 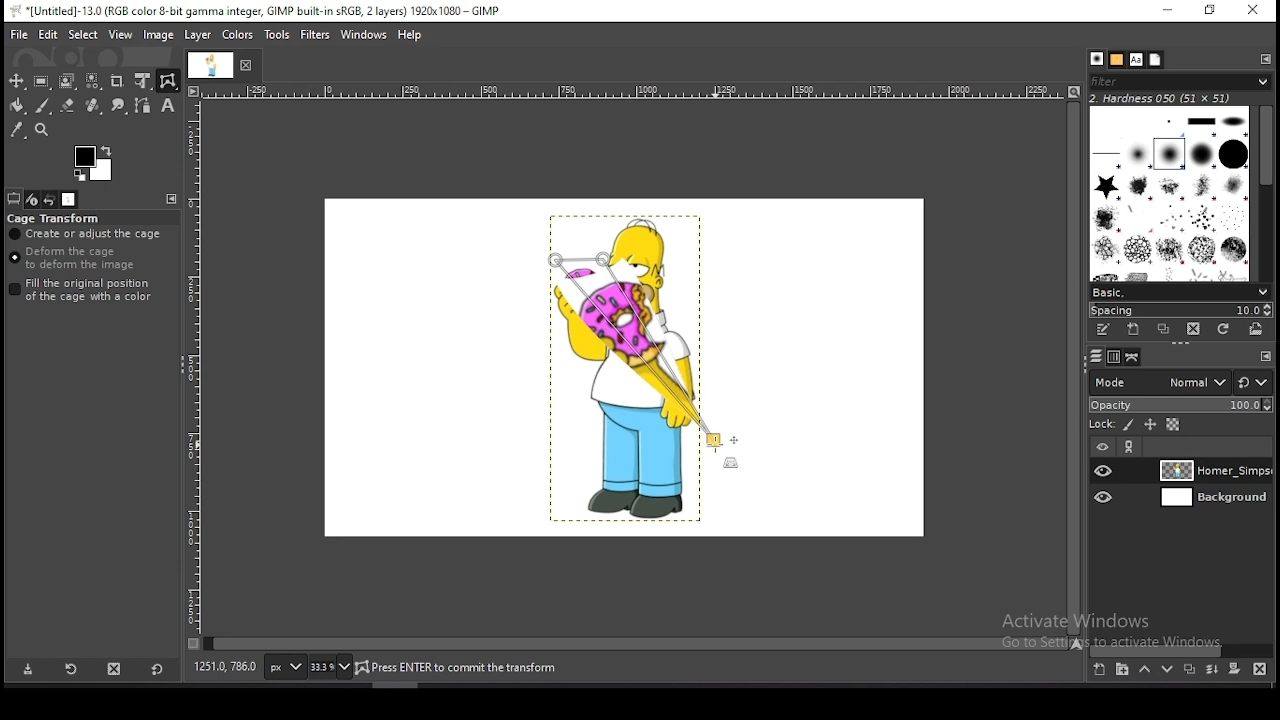 I want to click on save tool preset, so click(x=28, y=670).